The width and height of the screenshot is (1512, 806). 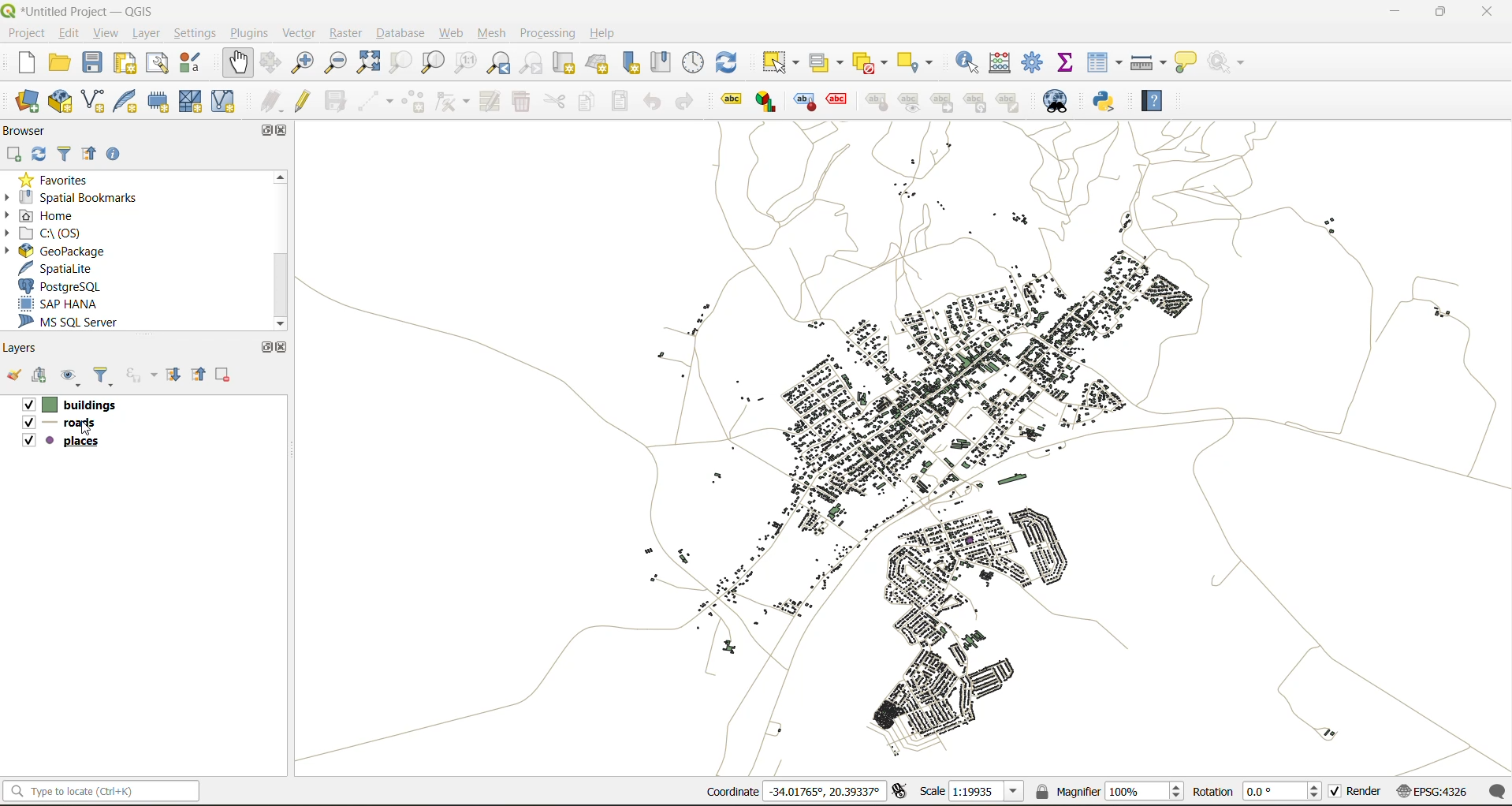 I want to click on close, so click(x=281, y=349).